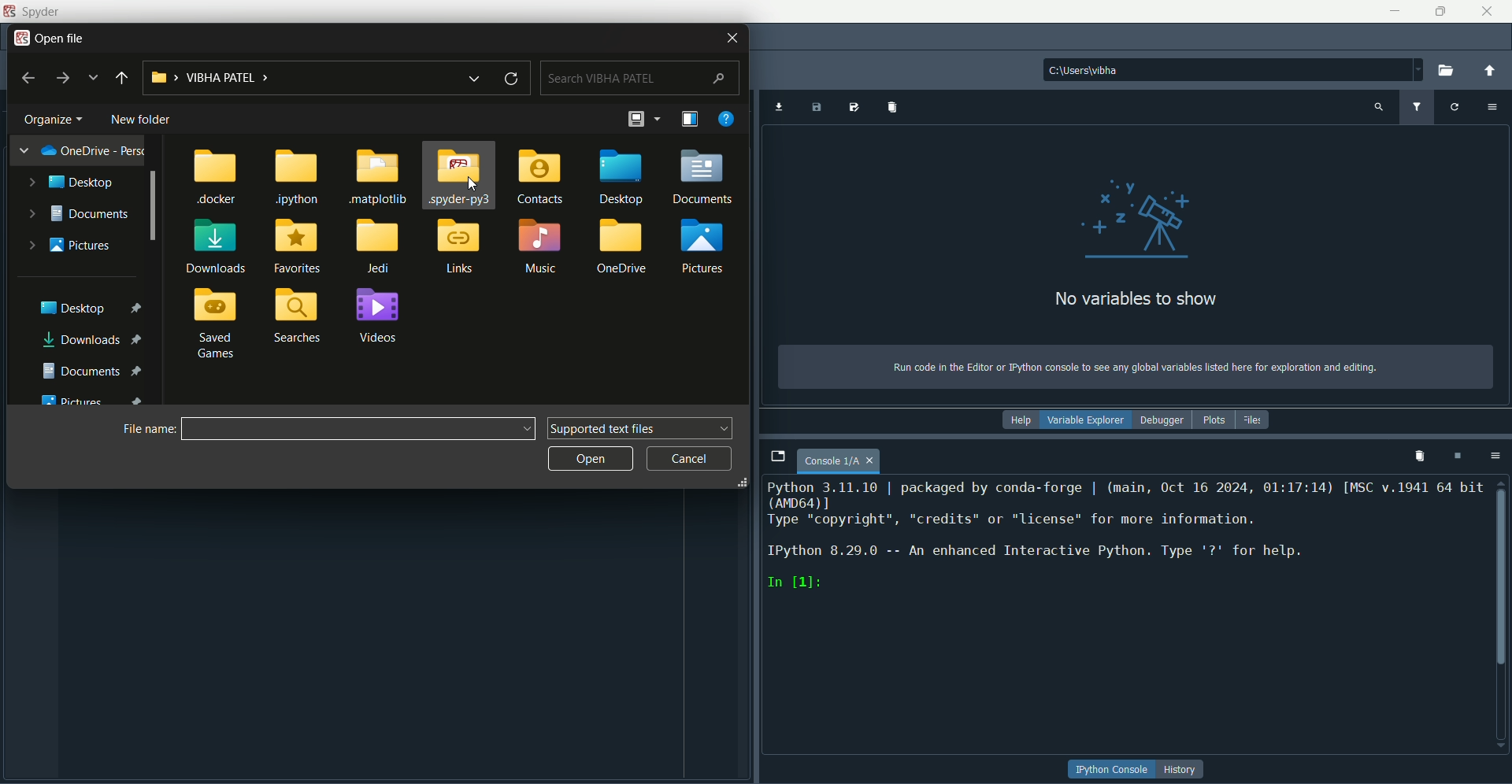 The height and width of the screenshot is (784, 1512). Describe the element at coordinates (639, 78) in the screenshot. I see `search bar` at that location.